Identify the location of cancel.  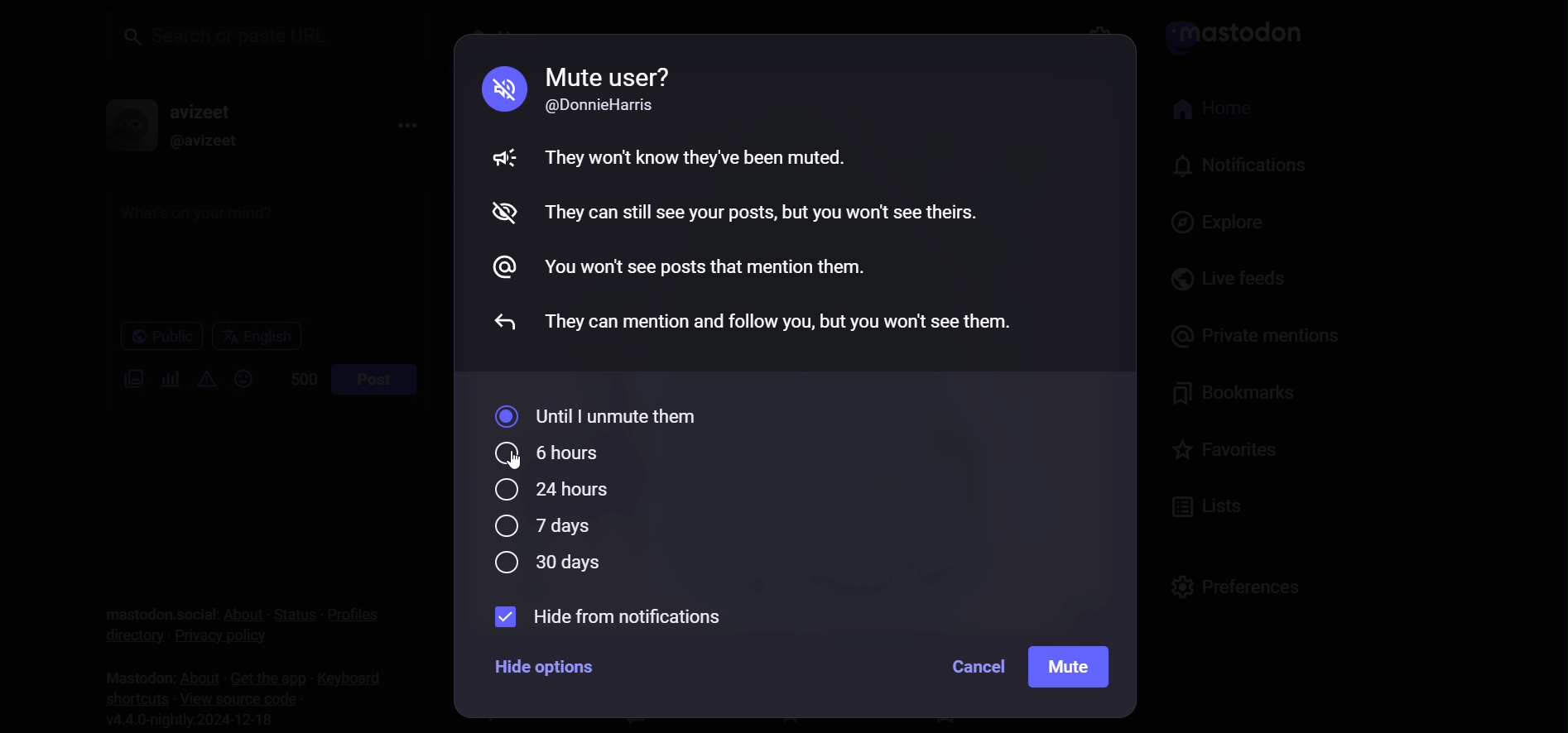
(977, 667).